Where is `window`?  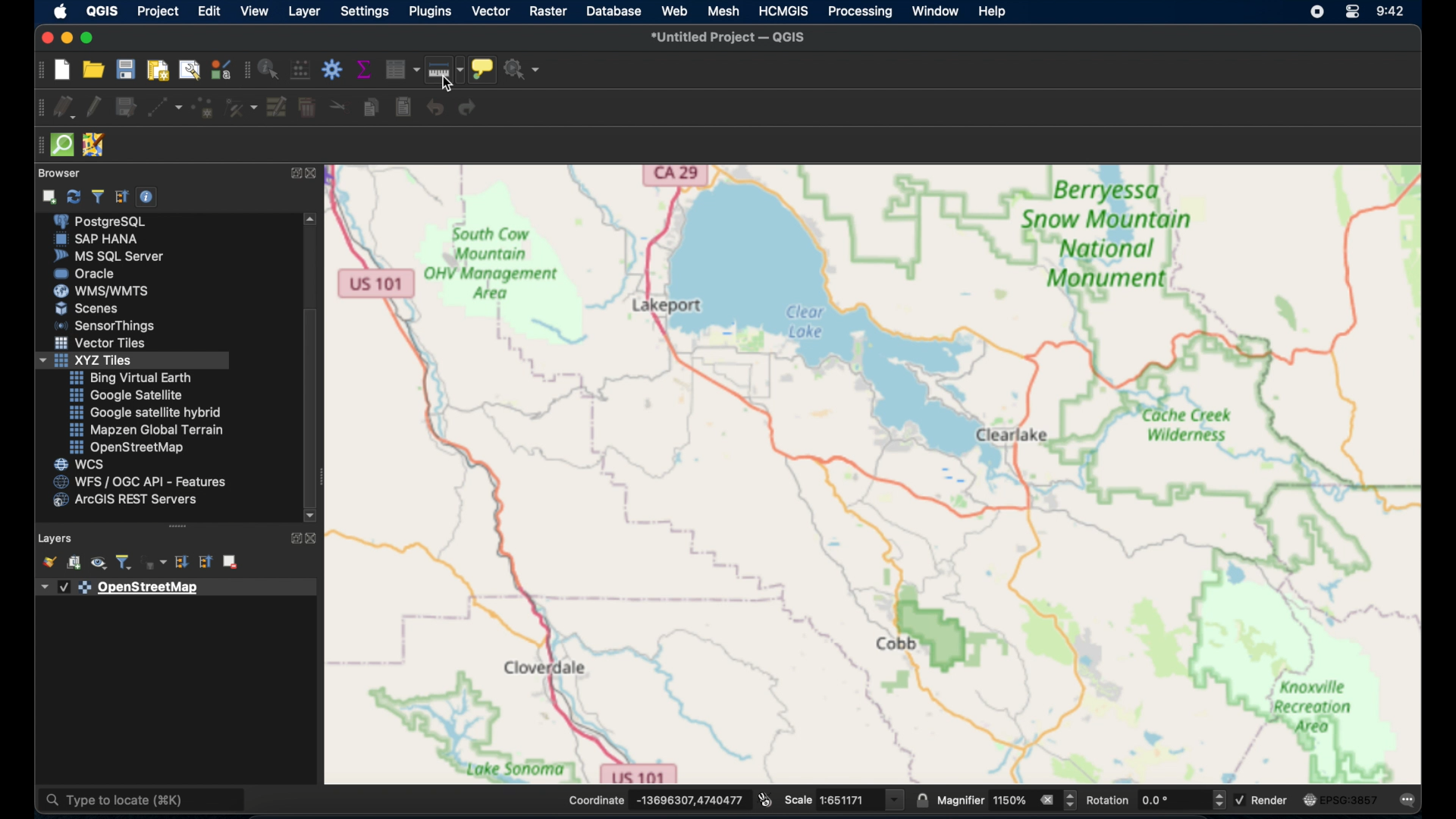 window is located at coordinates (937, 11).